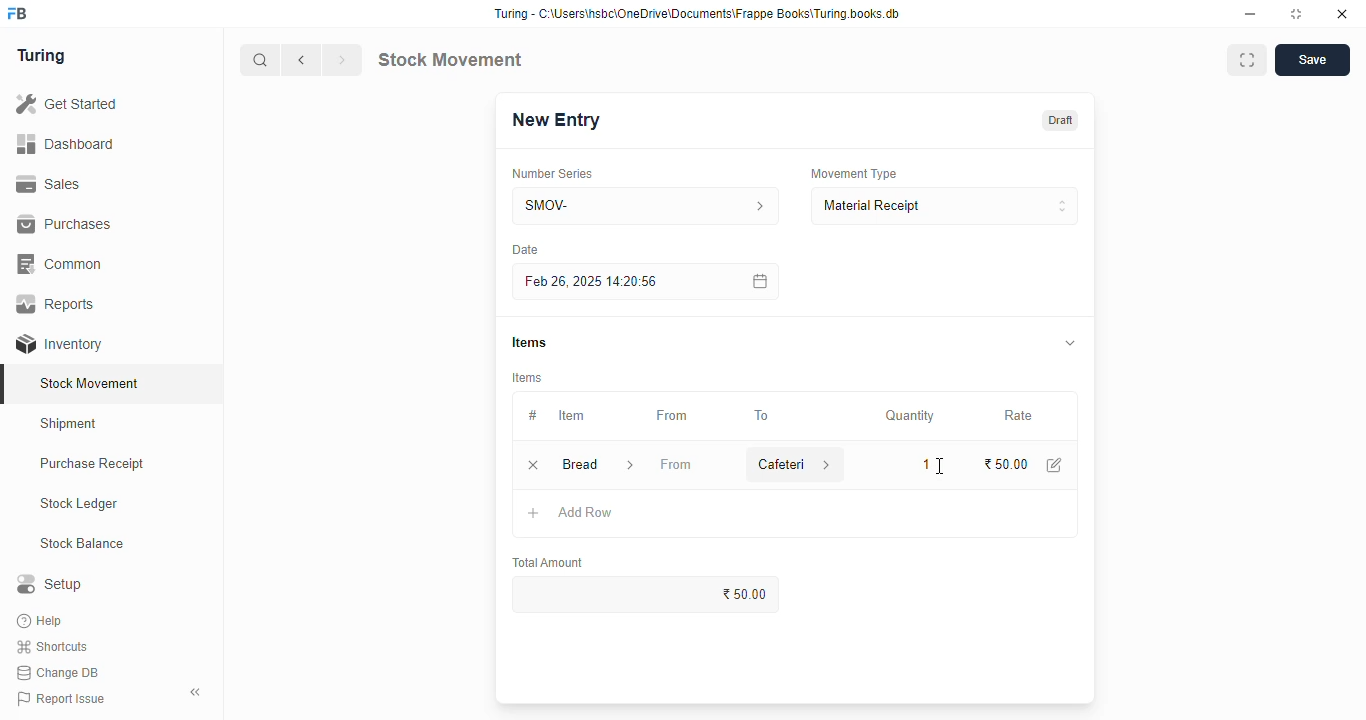  Describe the element at coordinates (59, 344) in the screenshot. I see `inventory` at that location.